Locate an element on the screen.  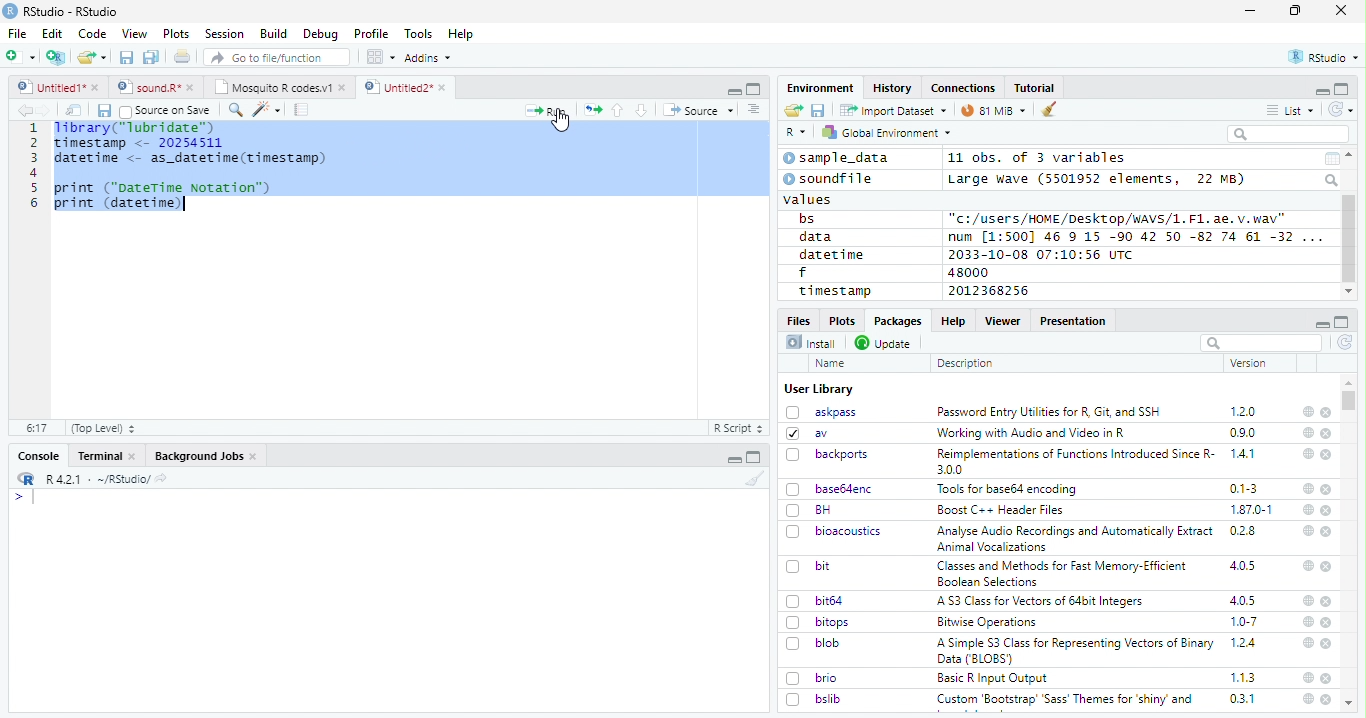
minimize is located at coordinates (733, 89).